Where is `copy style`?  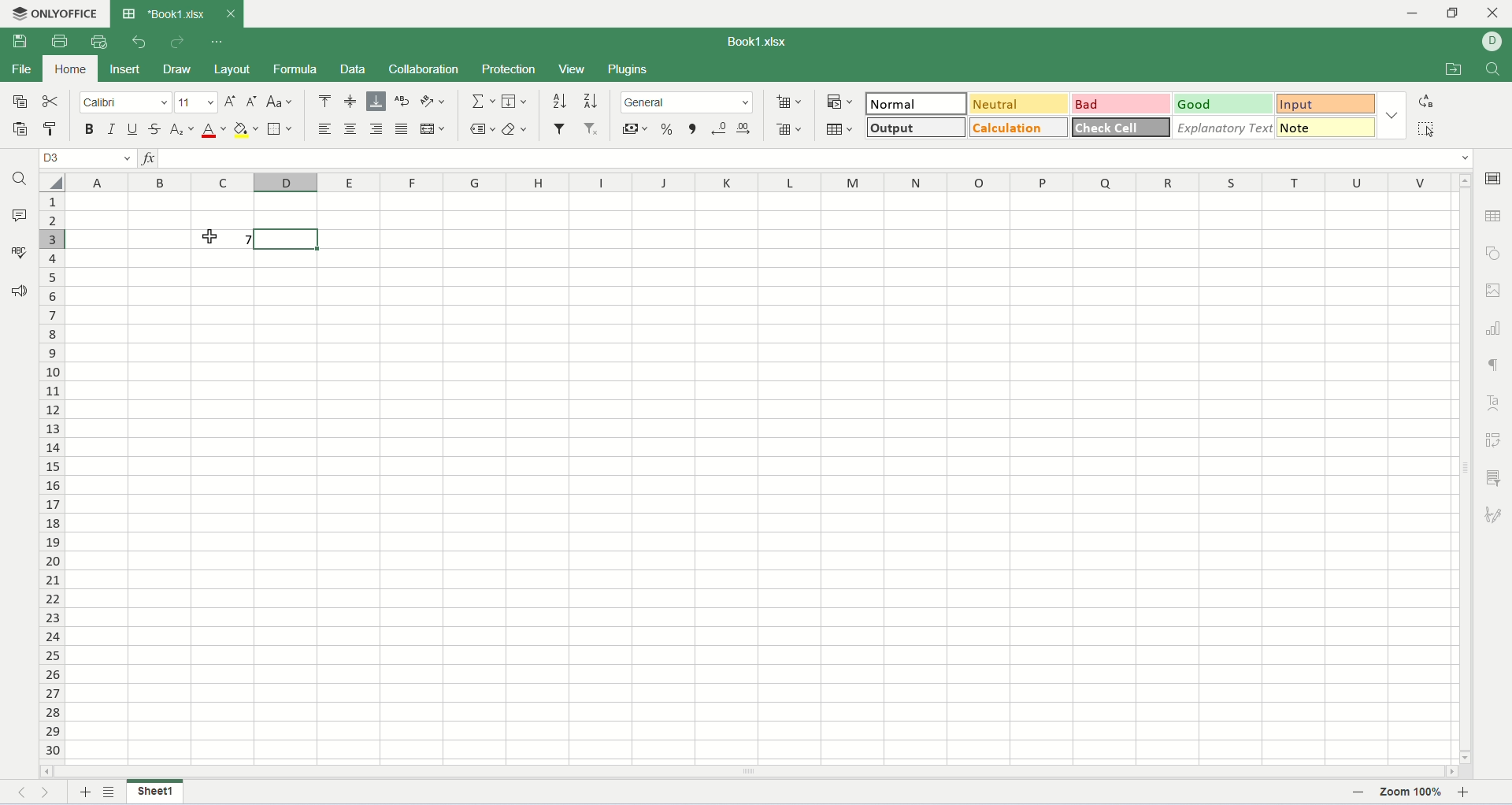
copy style is located at coordinates (51, 129).